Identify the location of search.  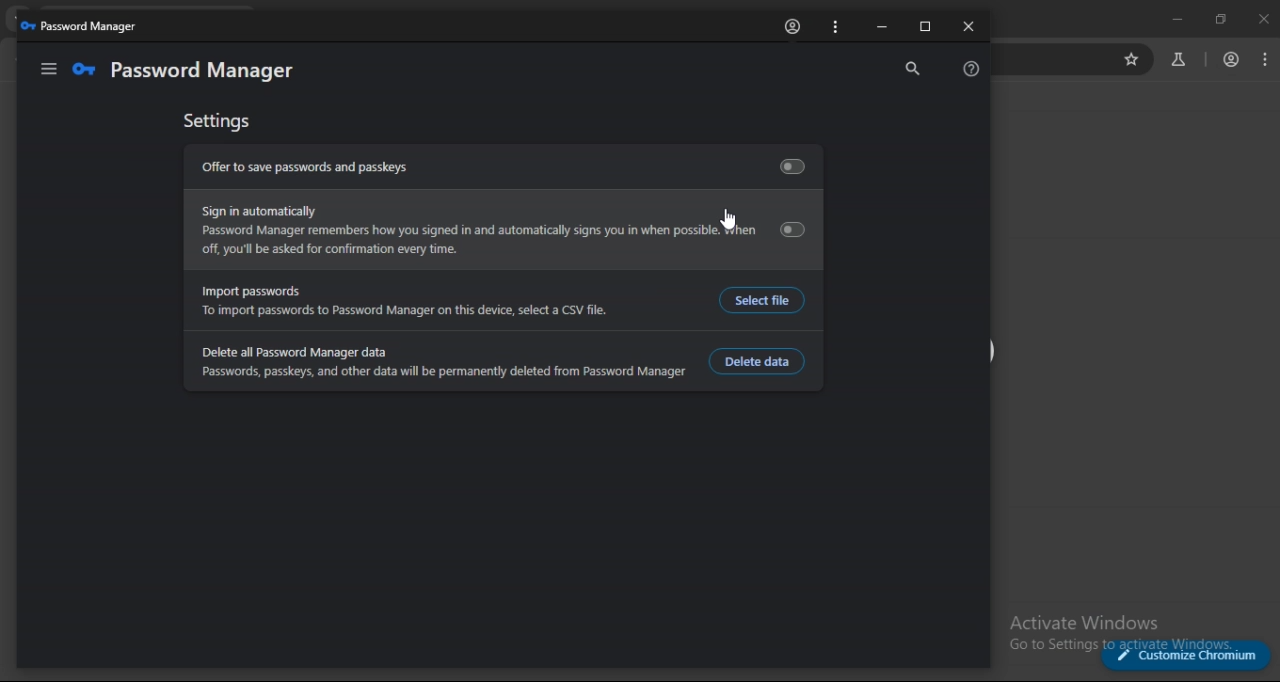
(908, 69).